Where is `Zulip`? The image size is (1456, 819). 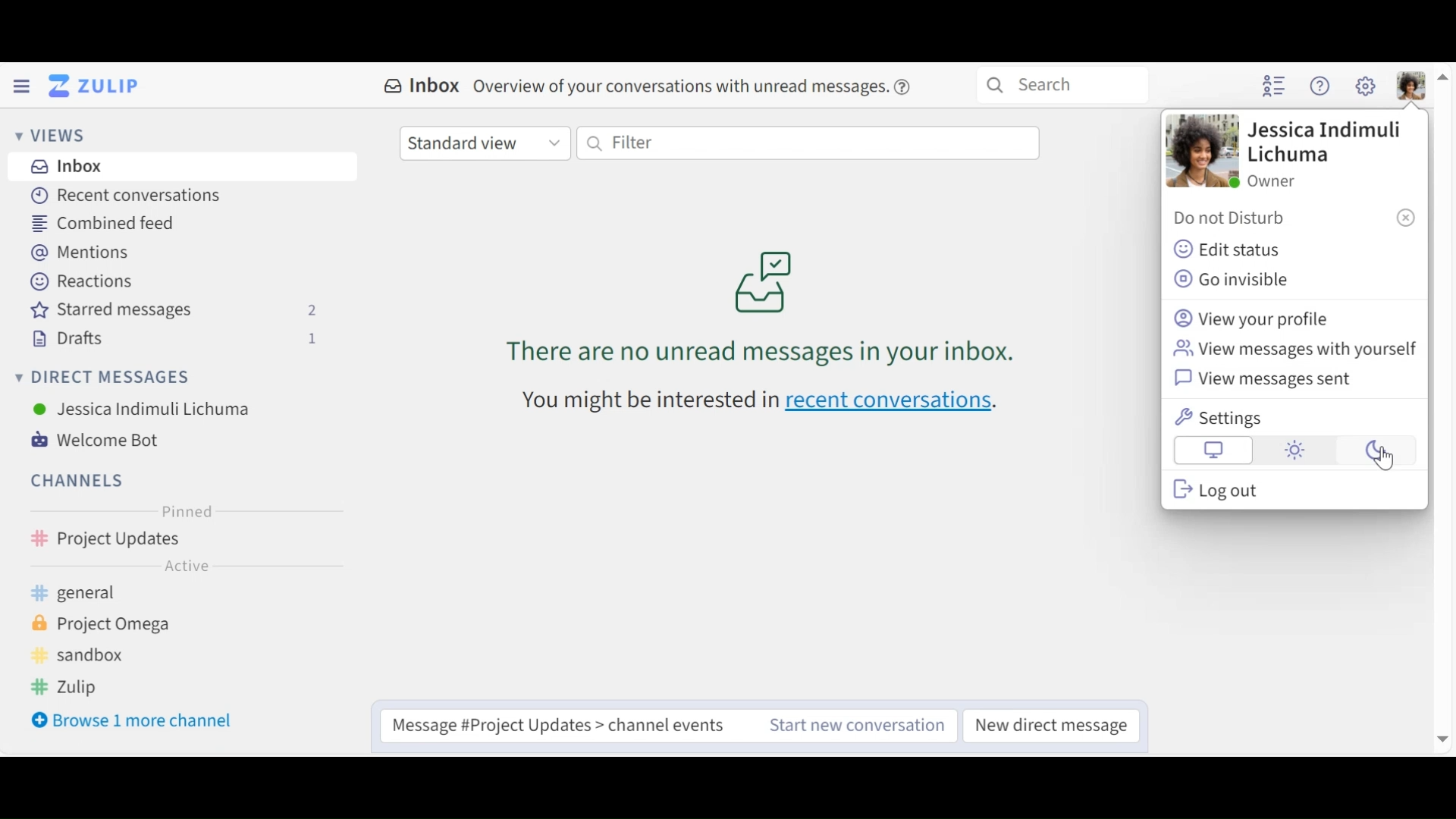
Zulip is located at coordinates (79, 689).